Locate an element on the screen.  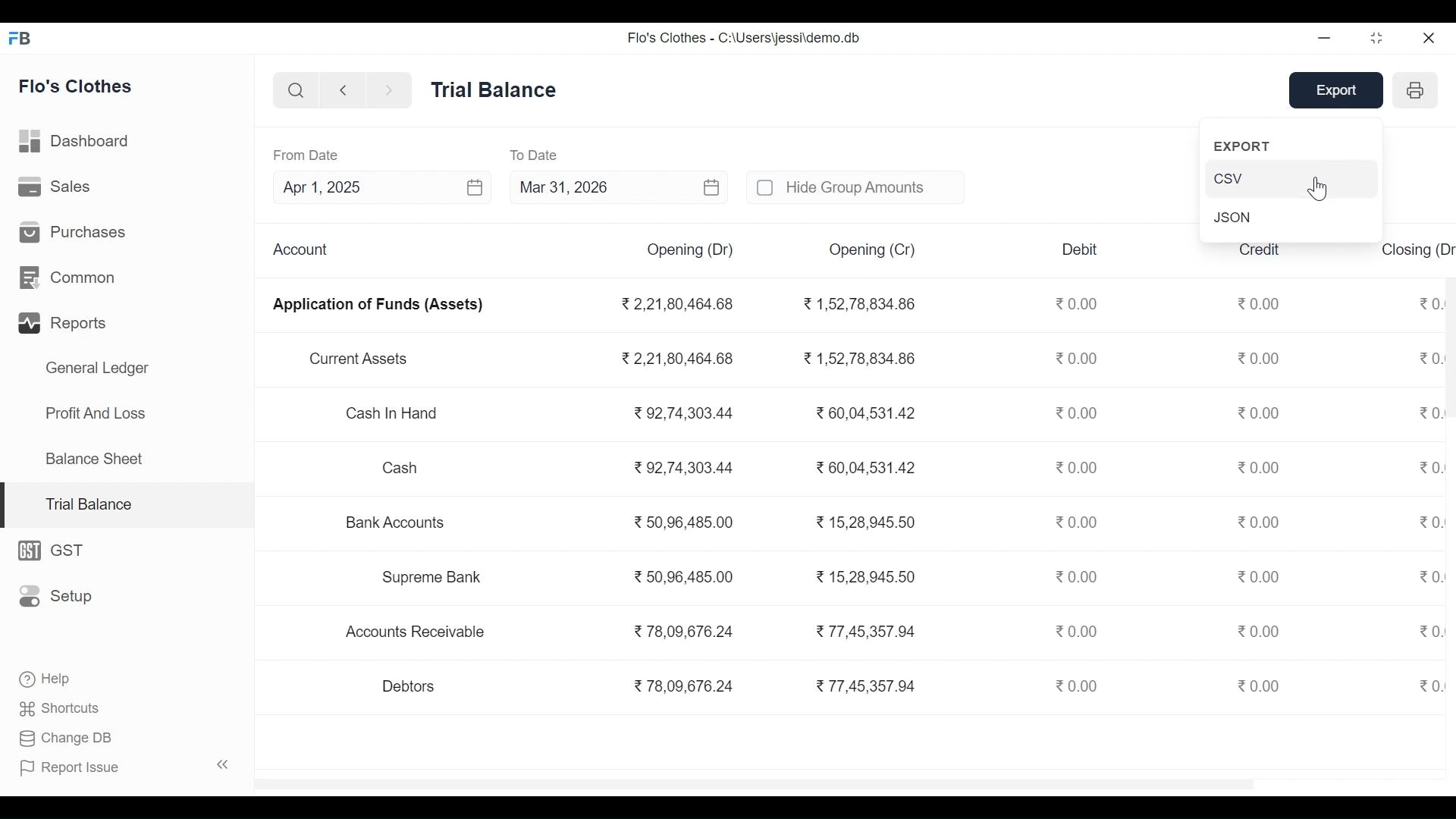
Application of Funds (Assets) is located at coordinates (378, 305).